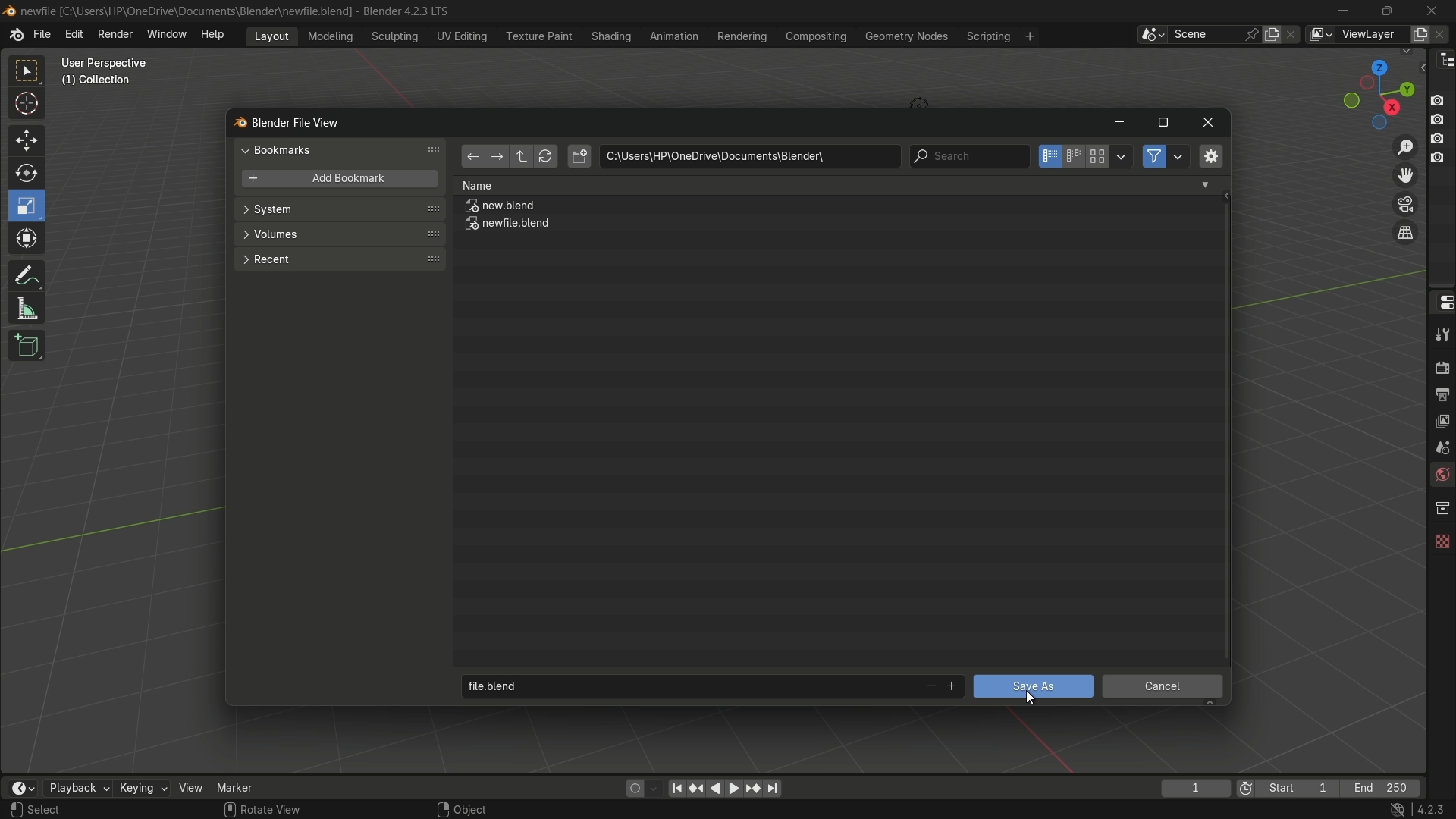  Describe the element at coordinates (1205, 33) in the screenshot. I see `scene name` at that location.